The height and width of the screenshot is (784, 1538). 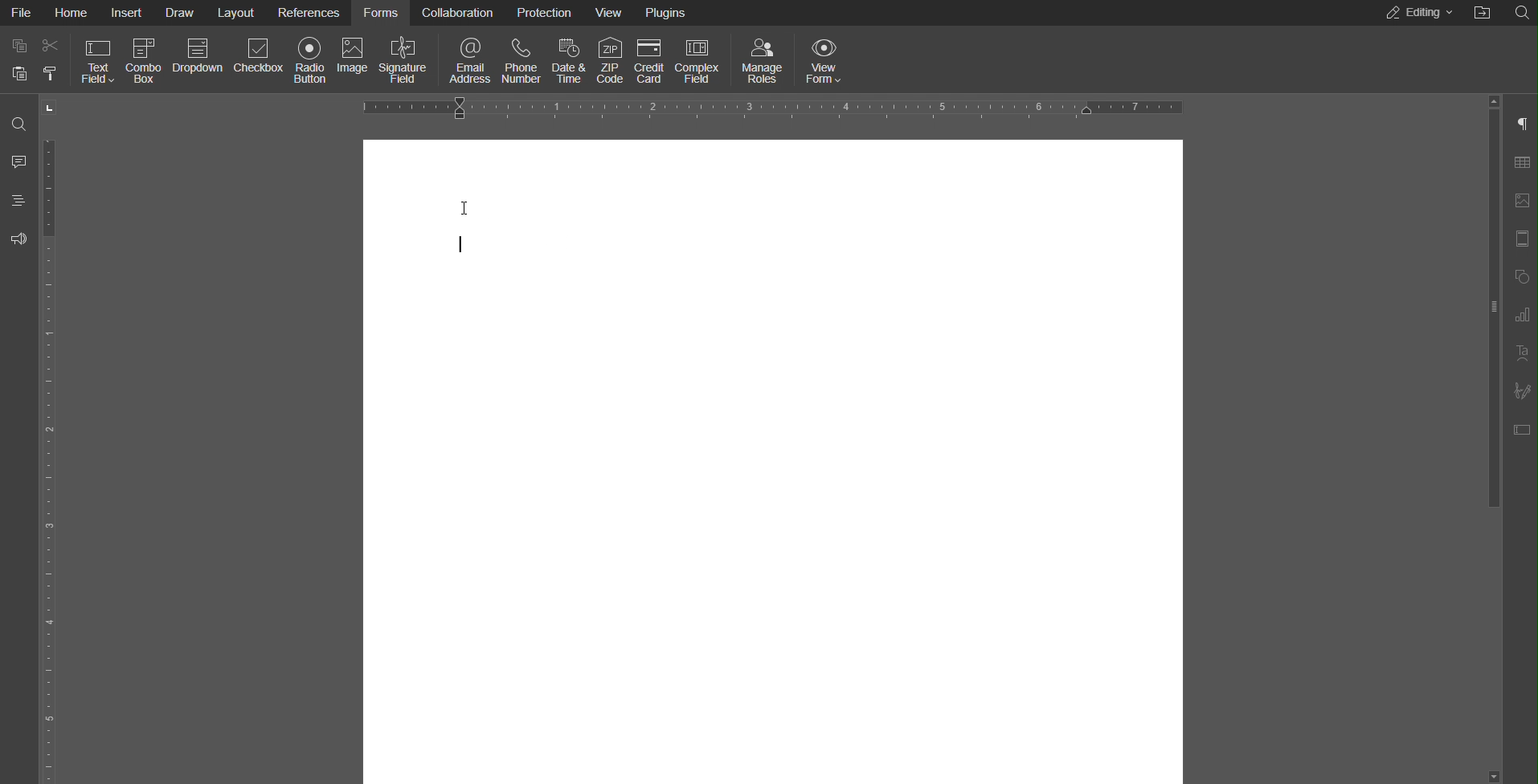 What do you see at coordinates (822, 59) in the screenshot?
I see `View Form` at bounding box center [822, 59].